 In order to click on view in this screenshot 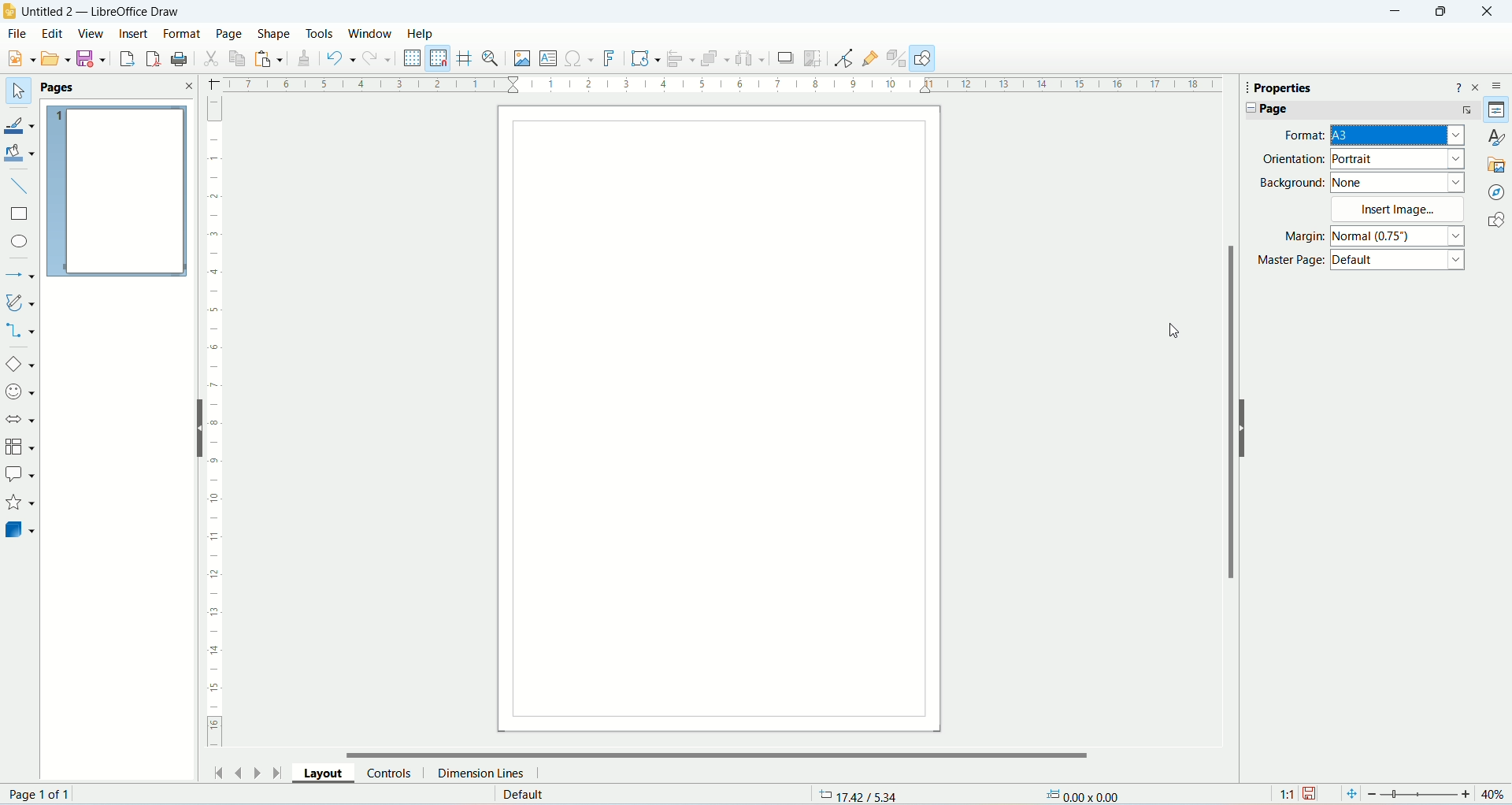, I will do `click(91, 33)`.